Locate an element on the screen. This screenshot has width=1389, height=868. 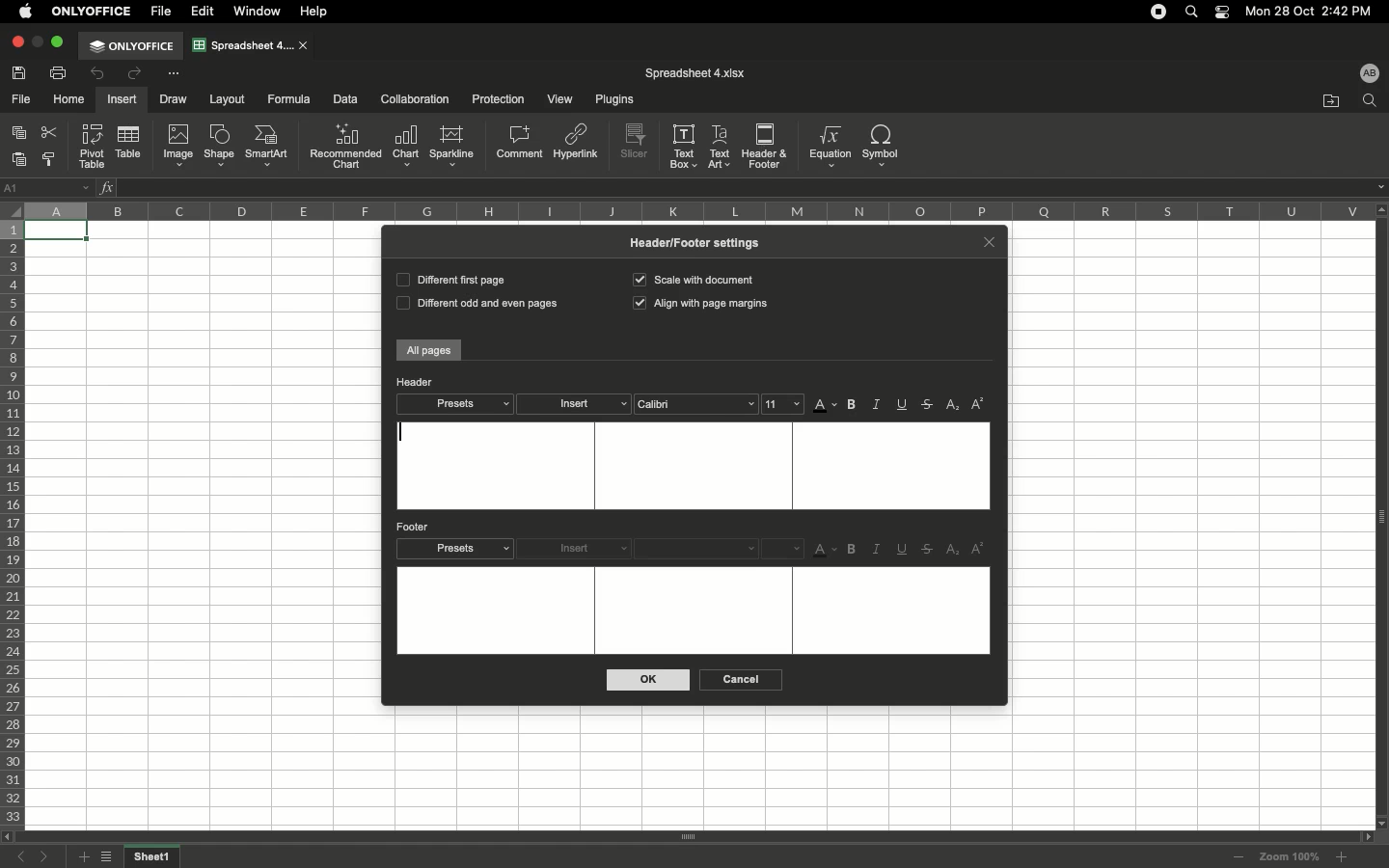
Italics is located at coordinates (876, 405).